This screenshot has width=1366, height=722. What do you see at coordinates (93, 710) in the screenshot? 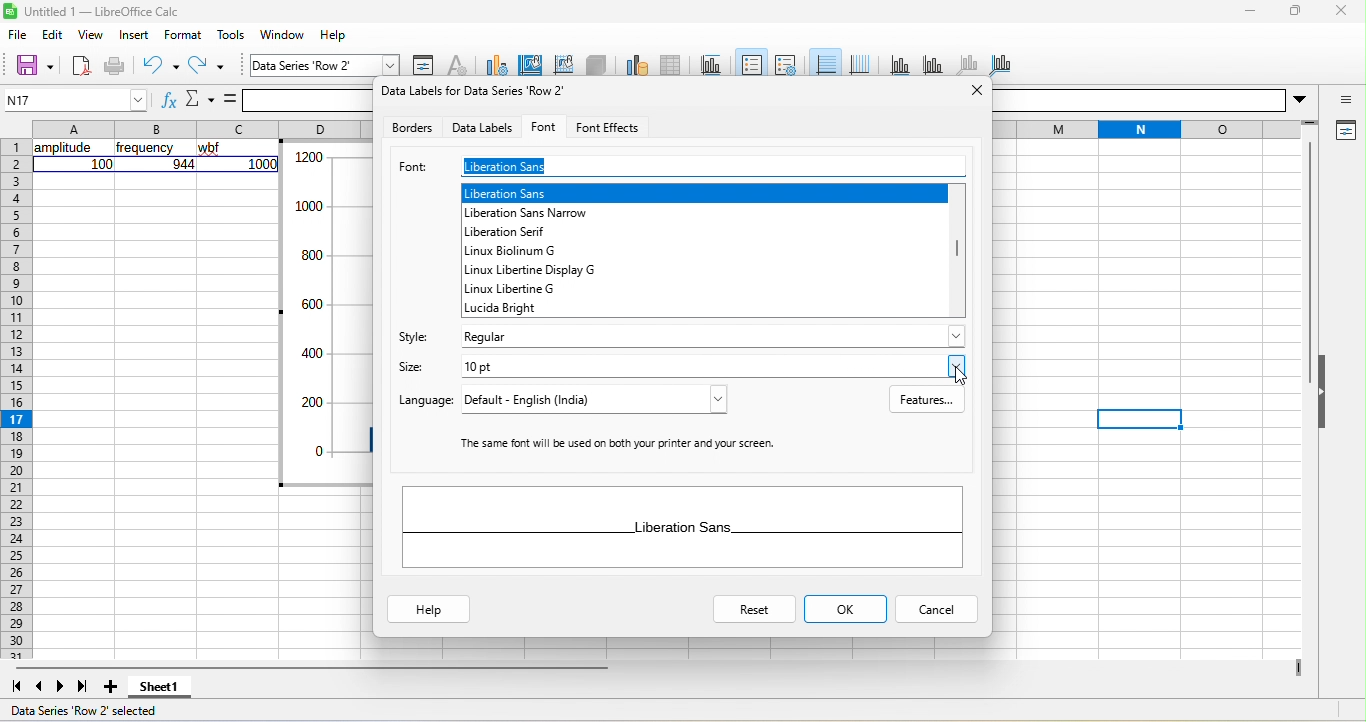
I see `data series row 2 selected` at bounding box center [93, 710].